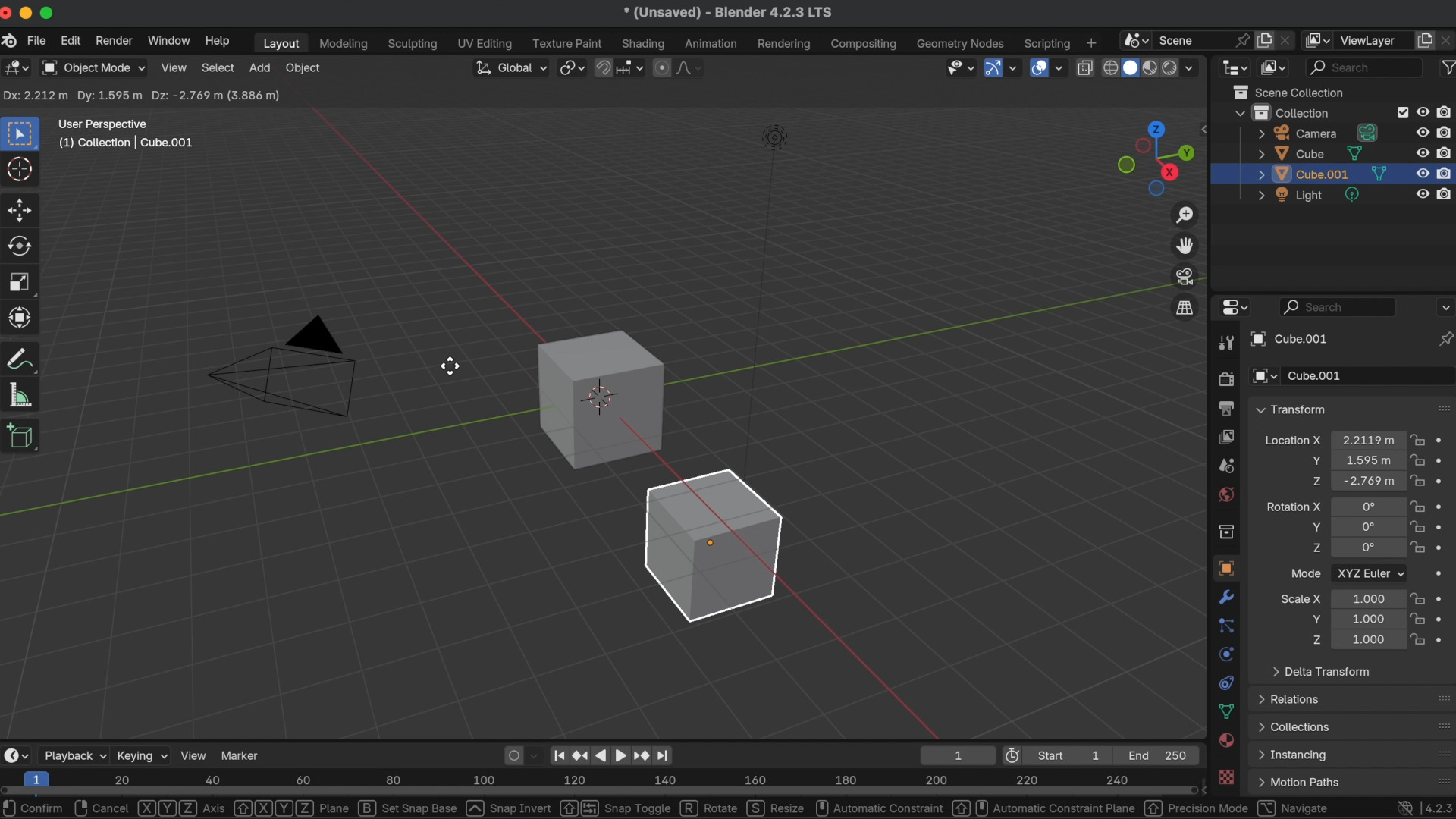 Image resolution: width=1456 pixels, height=819 pixels. Describe the element at coordinates (1314, 527) in the screenshot. I see `rotation Y` at that location.